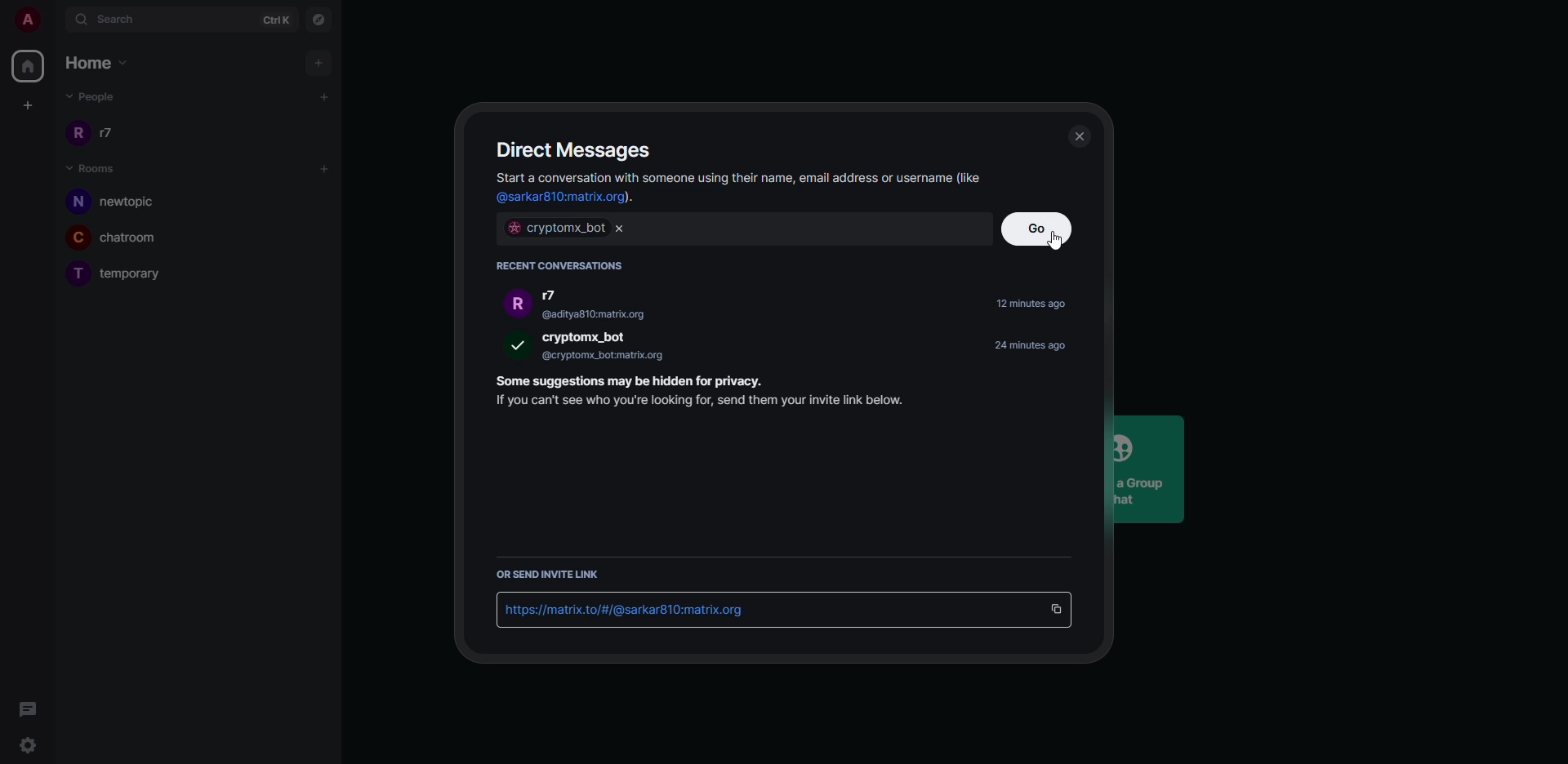 The image size is (1568, 764). I want to click on account, so click(29, 20).